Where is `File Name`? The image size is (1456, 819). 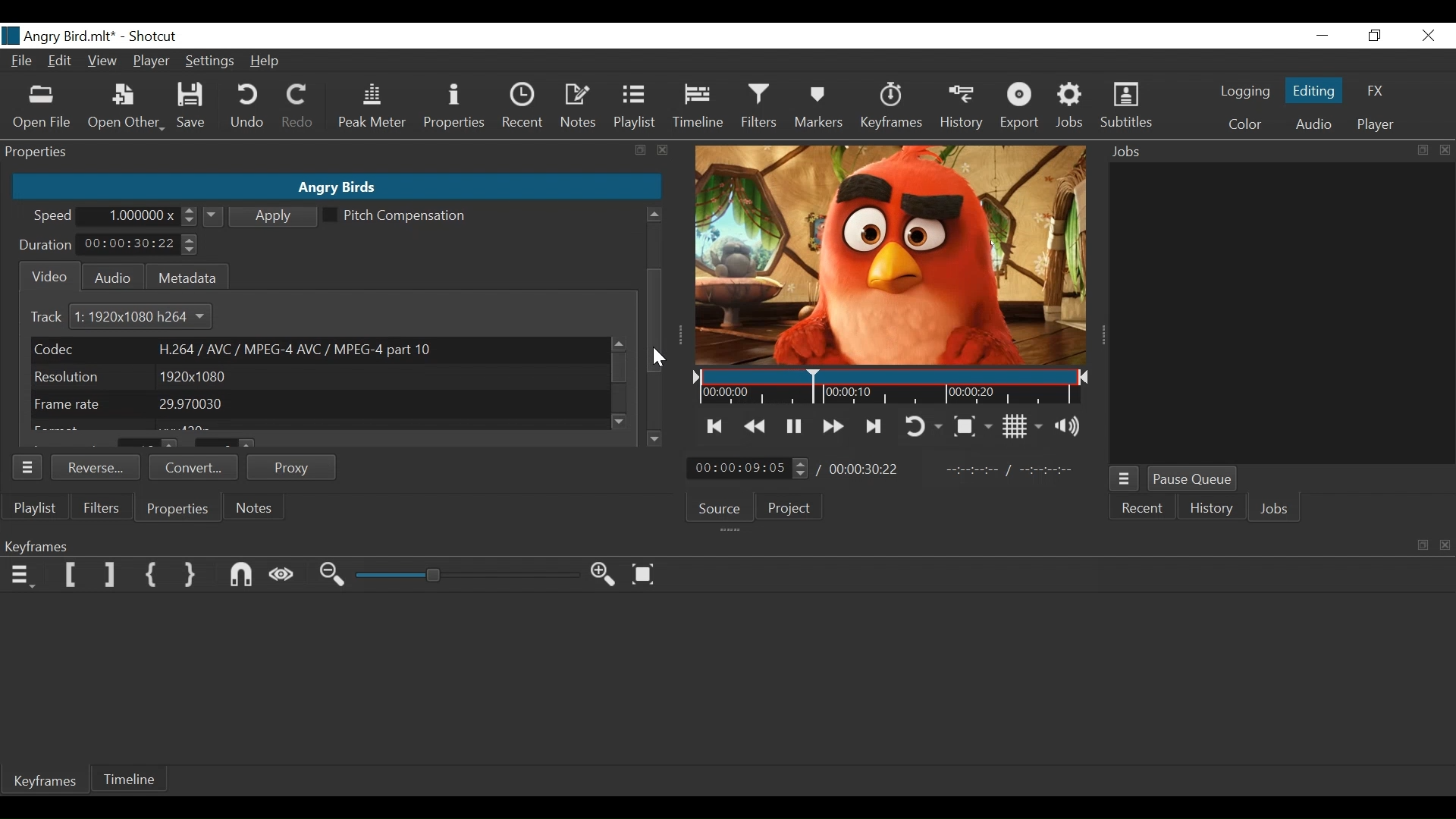 File Name is located at coordinates (59, 36).